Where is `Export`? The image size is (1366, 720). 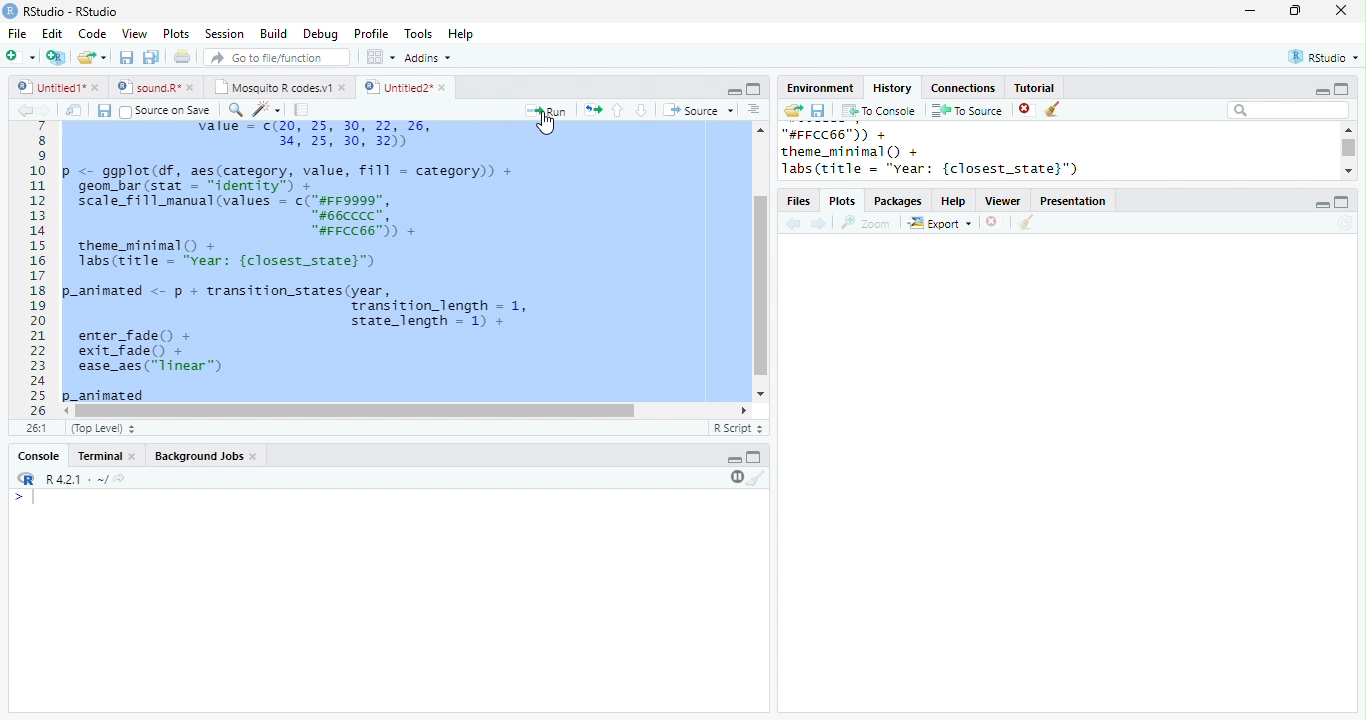 Export is located at coordinates (939, 222).